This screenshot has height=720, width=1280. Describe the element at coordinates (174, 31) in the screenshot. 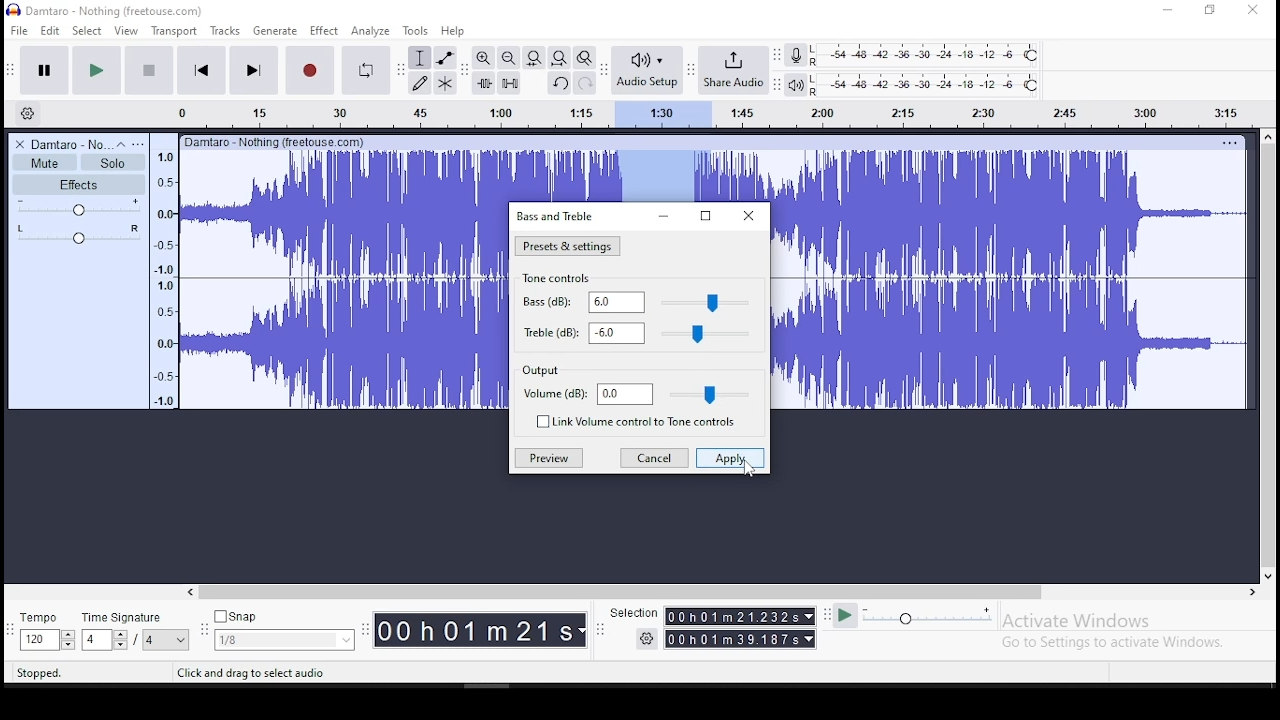

I see `transport` at that location.